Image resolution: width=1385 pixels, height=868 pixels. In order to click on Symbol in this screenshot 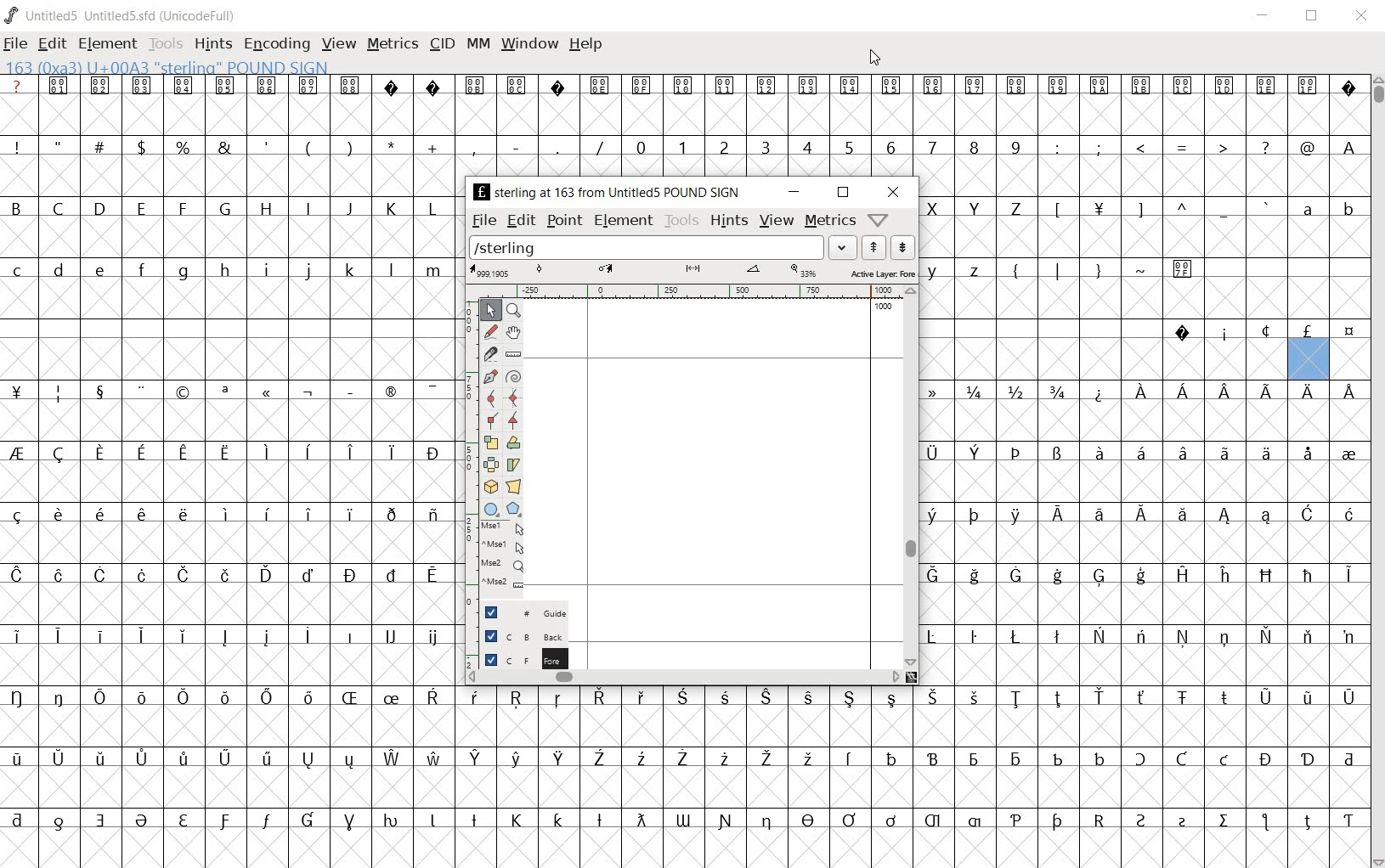, I will do `click(1057, 454)`.